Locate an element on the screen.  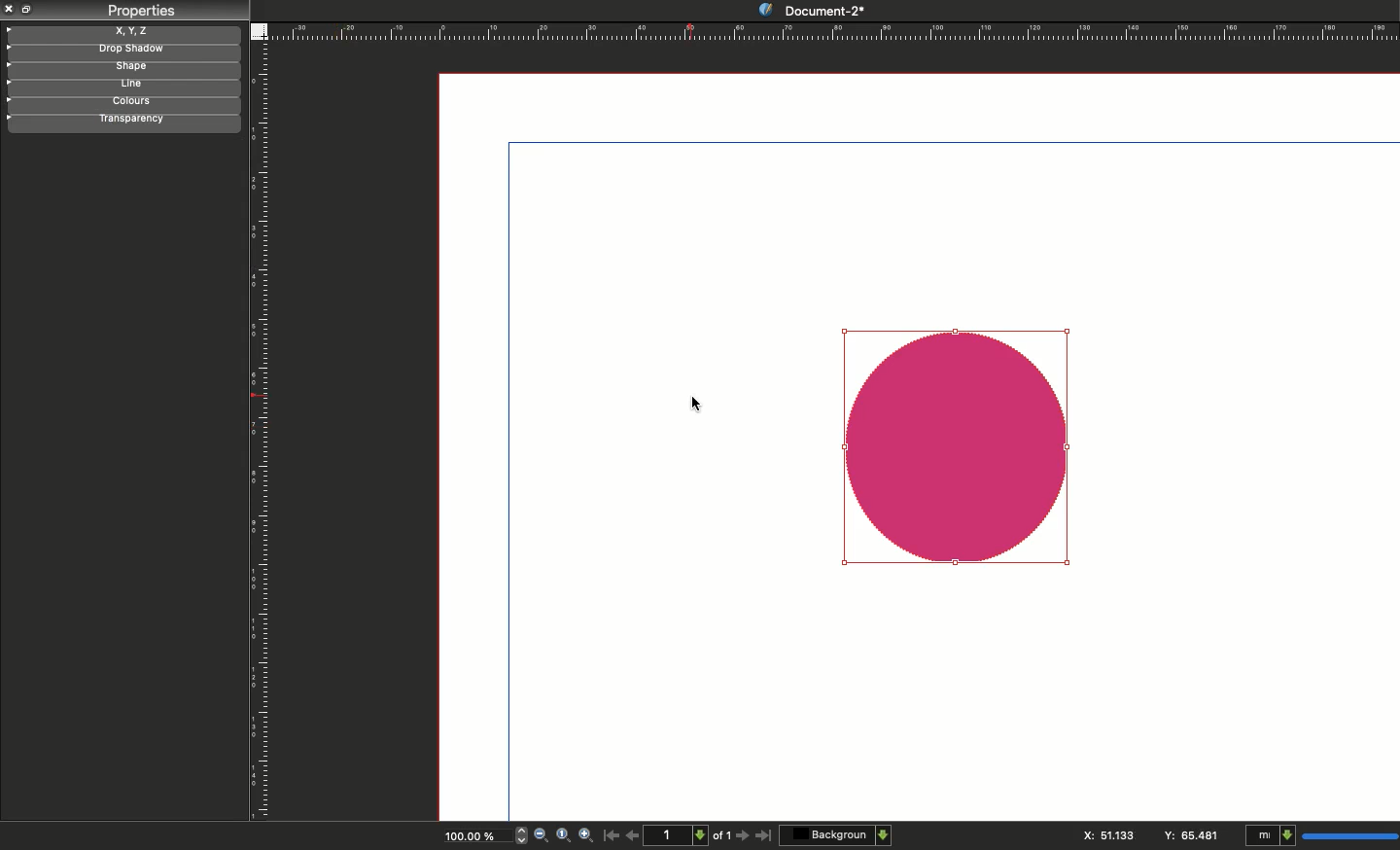
Drop shadow is located at coordinates (121, 51).